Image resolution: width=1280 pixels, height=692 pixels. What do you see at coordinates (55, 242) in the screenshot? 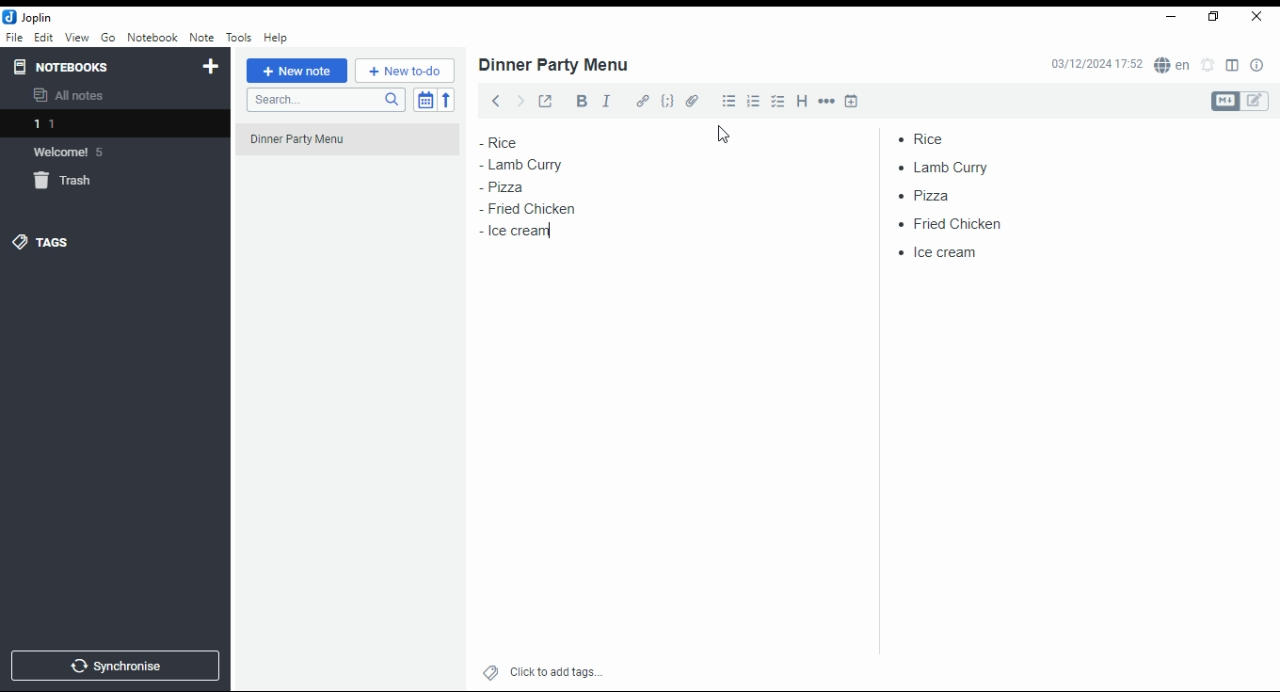
I see `tags` at bounding box center [55, 242].